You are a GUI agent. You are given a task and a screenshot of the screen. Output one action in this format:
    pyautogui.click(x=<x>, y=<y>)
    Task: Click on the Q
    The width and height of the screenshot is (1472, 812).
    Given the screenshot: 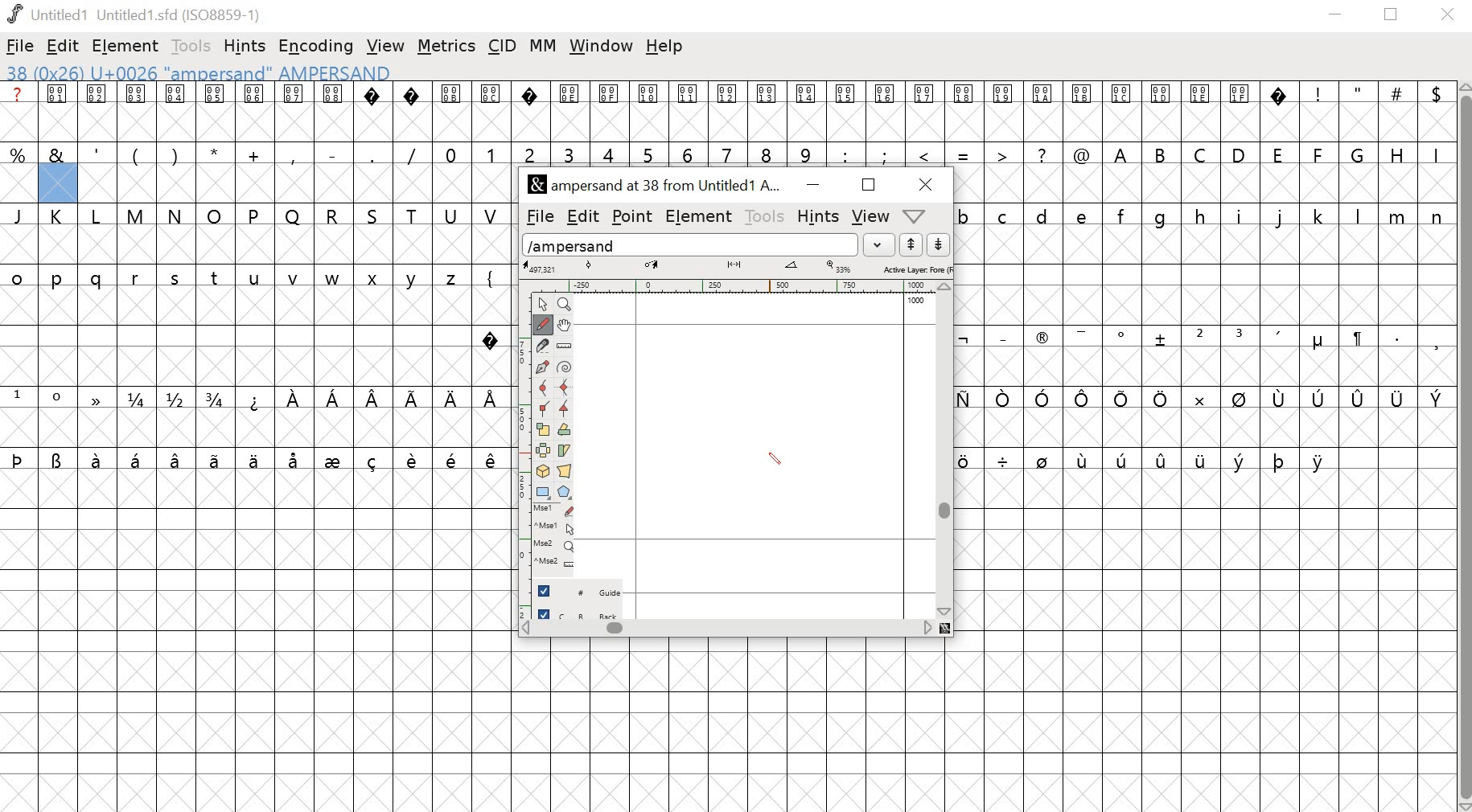 What is the action you would take?
    pyautogui.click(x=293, y=215)
    